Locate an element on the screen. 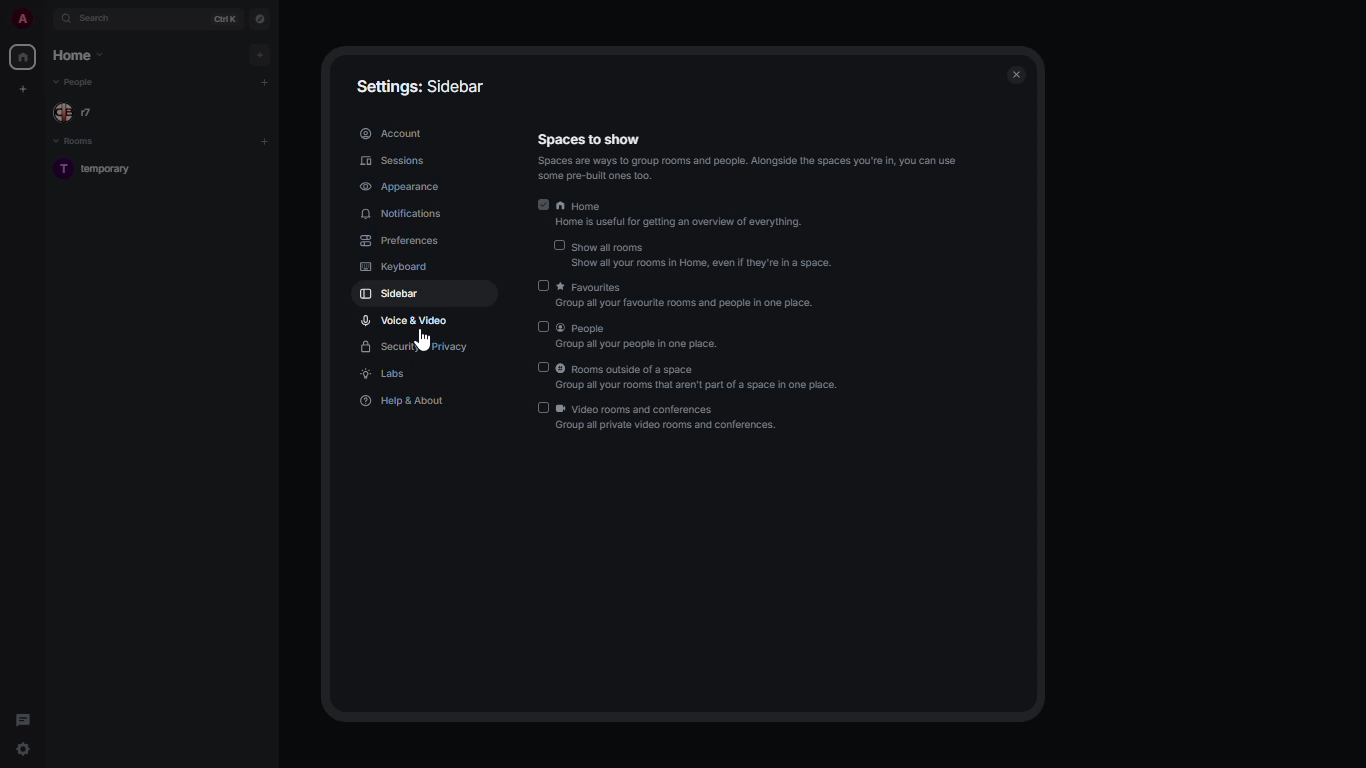 The width and height of the screenshot is (1366, 768). ctrl K is located at coordinates (225, 19).